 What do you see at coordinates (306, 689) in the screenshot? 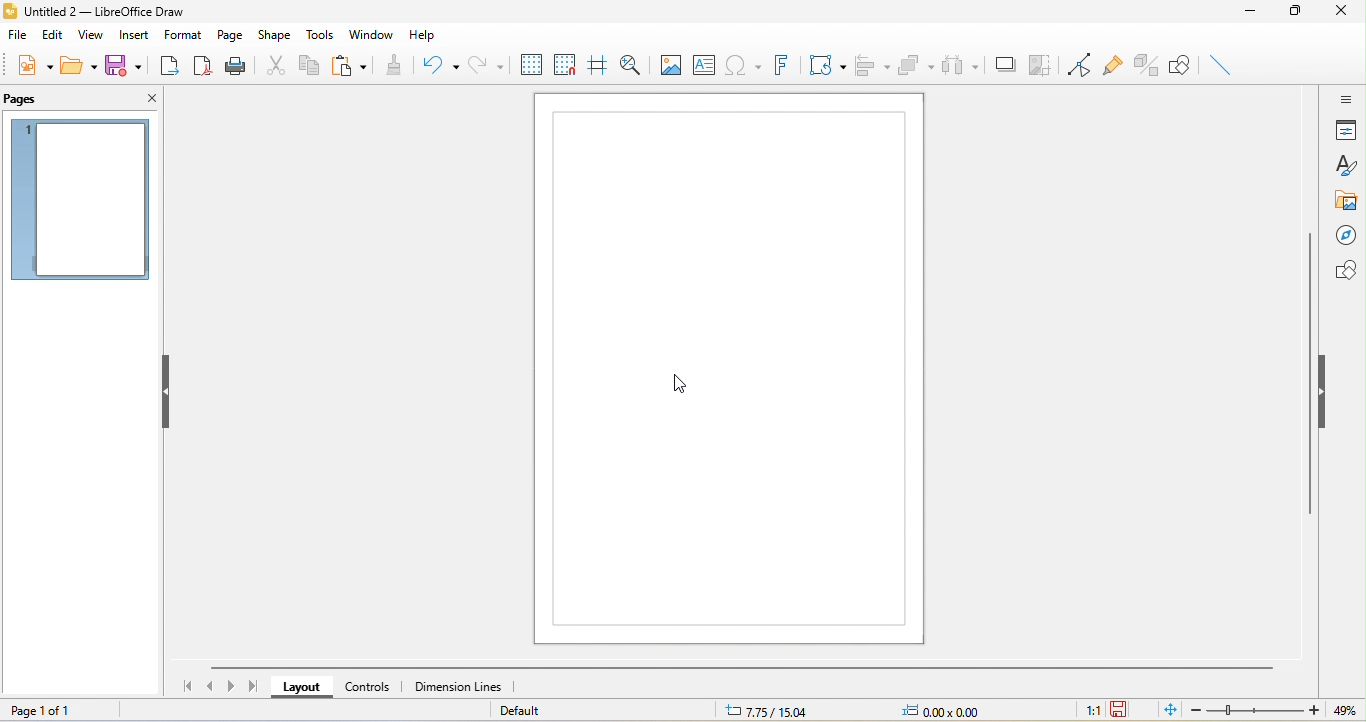
I see `layout` at bounding box center [306, 689].